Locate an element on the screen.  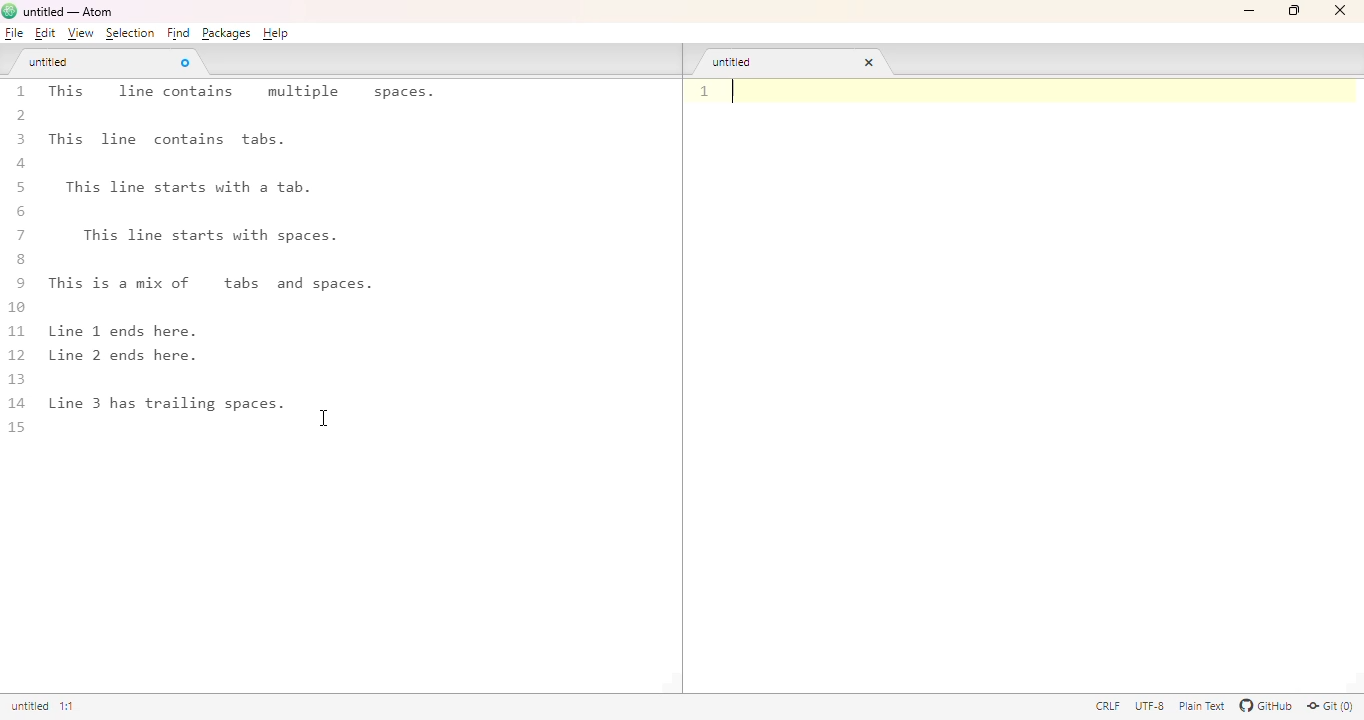
close tab is located at coordinates (869, 62).